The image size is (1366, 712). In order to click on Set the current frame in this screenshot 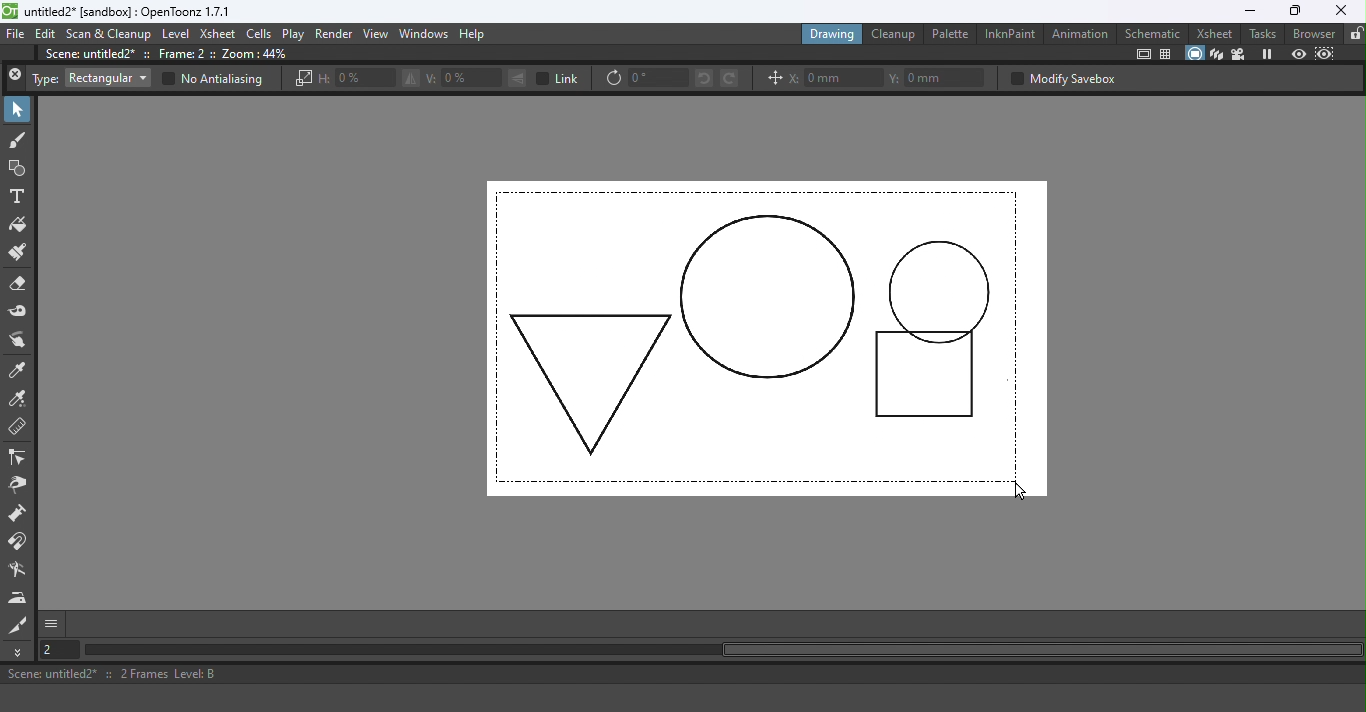, I will do `click(62, 651)`.